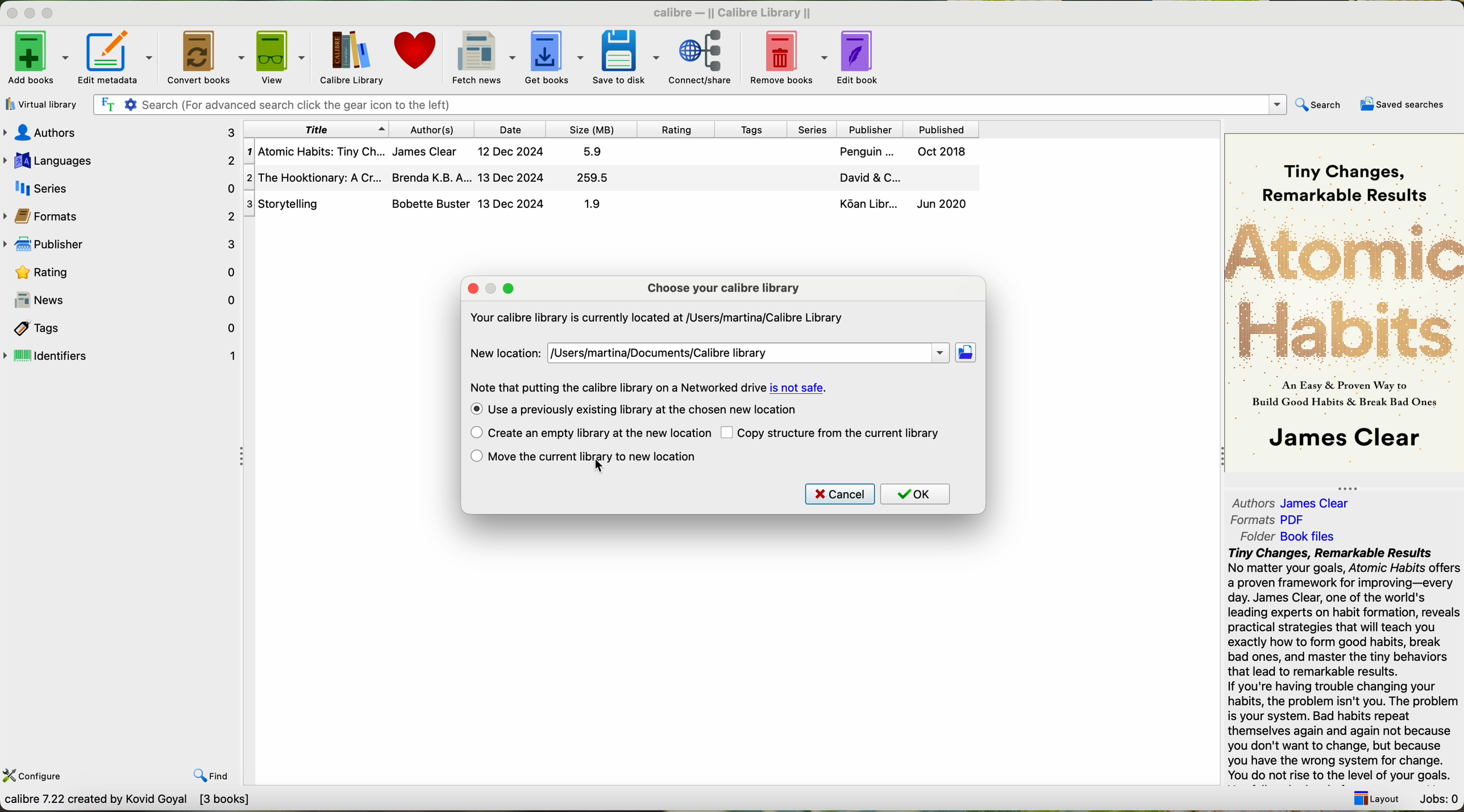 The height and width of the screenshot is (812, 1464). What do you see at coordinates (902, 153) in the screenshot?
I see `Penguin ... Oct 2018` at bounding box center [902, 153].